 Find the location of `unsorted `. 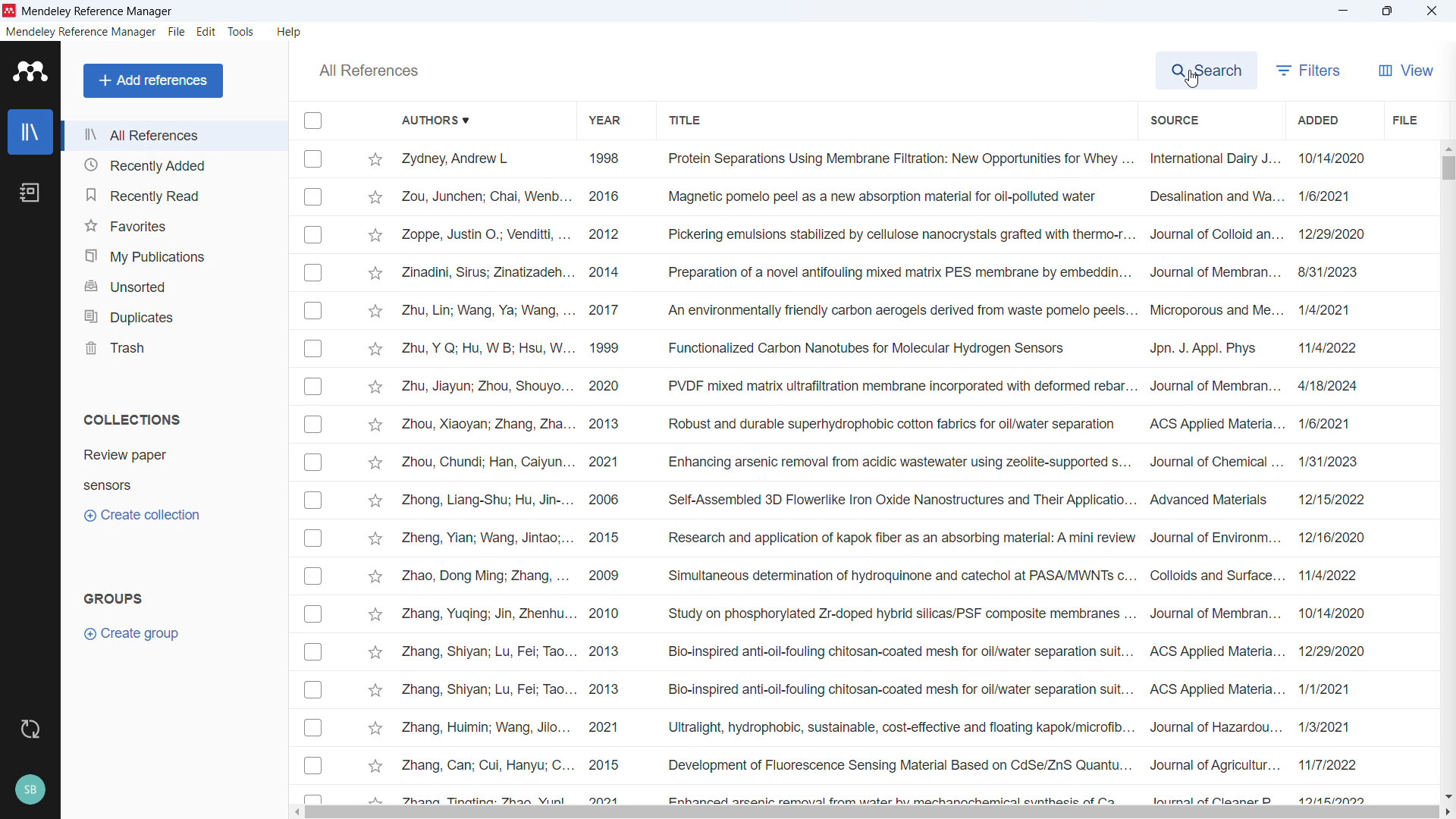

unsorted  is located at coordinates (172, 284).